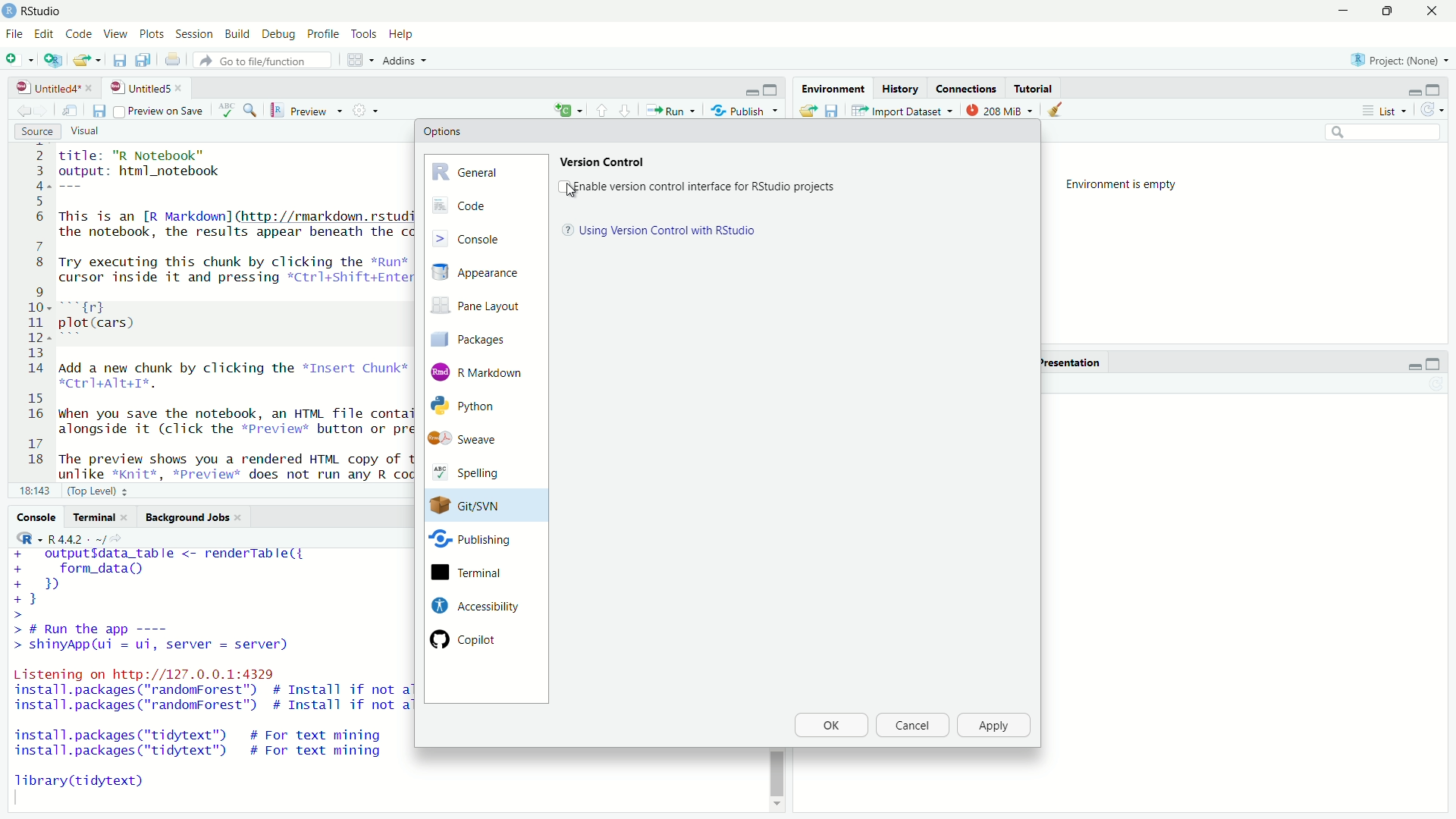 The width and height of the screenshot is (1456, 819). What do you see at coordinates (1036, 88) in the screenshot?
I see `Tutorial` at bounding box center [1036, 88].